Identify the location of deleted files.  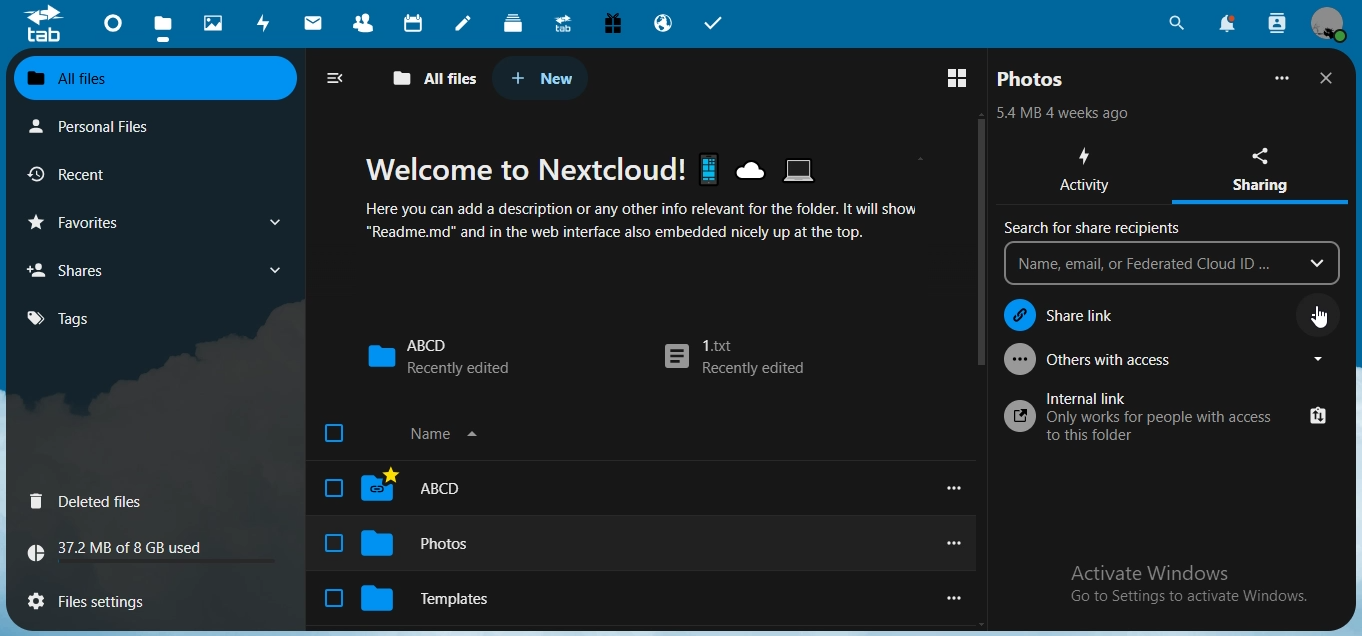
(91, 503).